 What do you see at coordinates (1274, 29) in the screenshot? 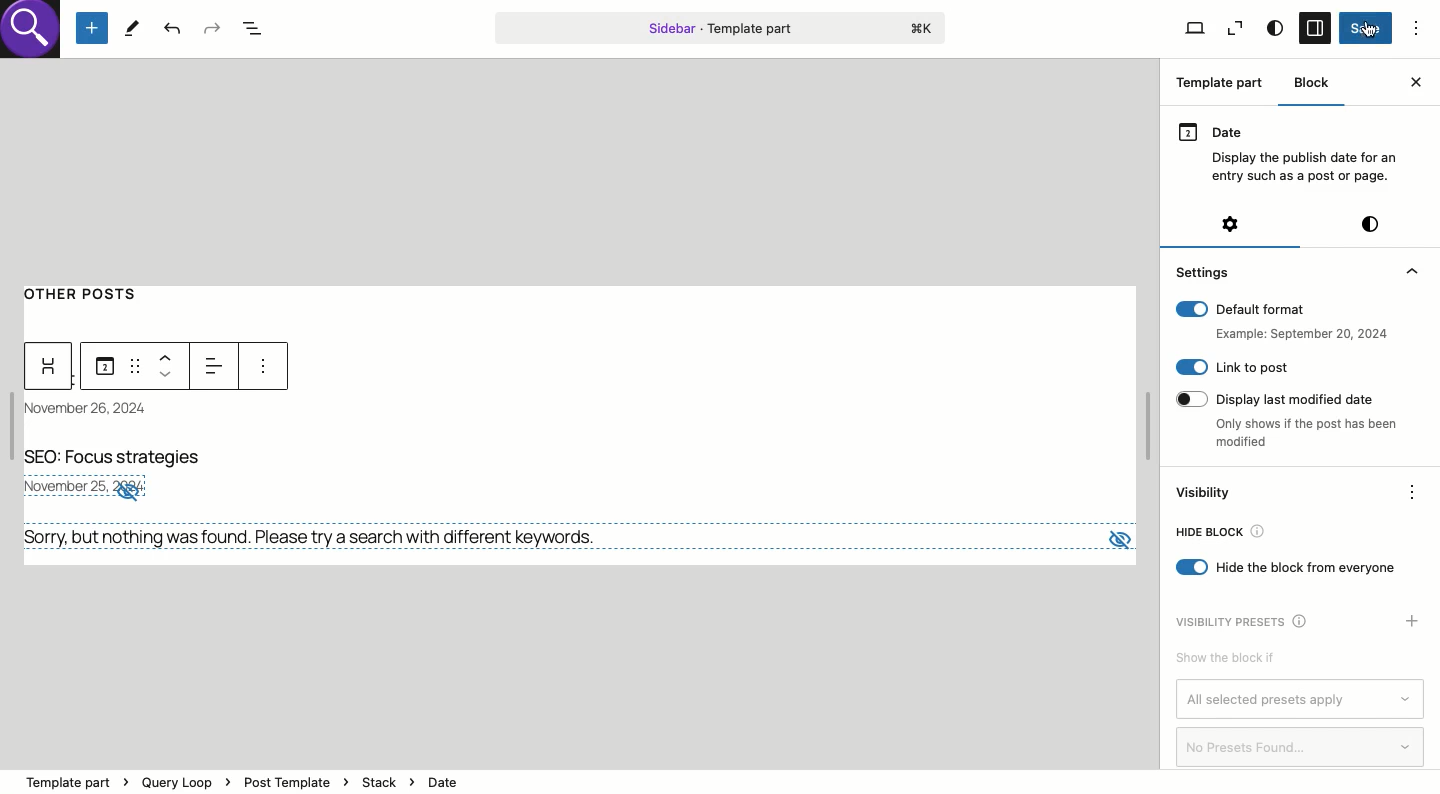
I see `Style` at bounding box center [1274, 29].